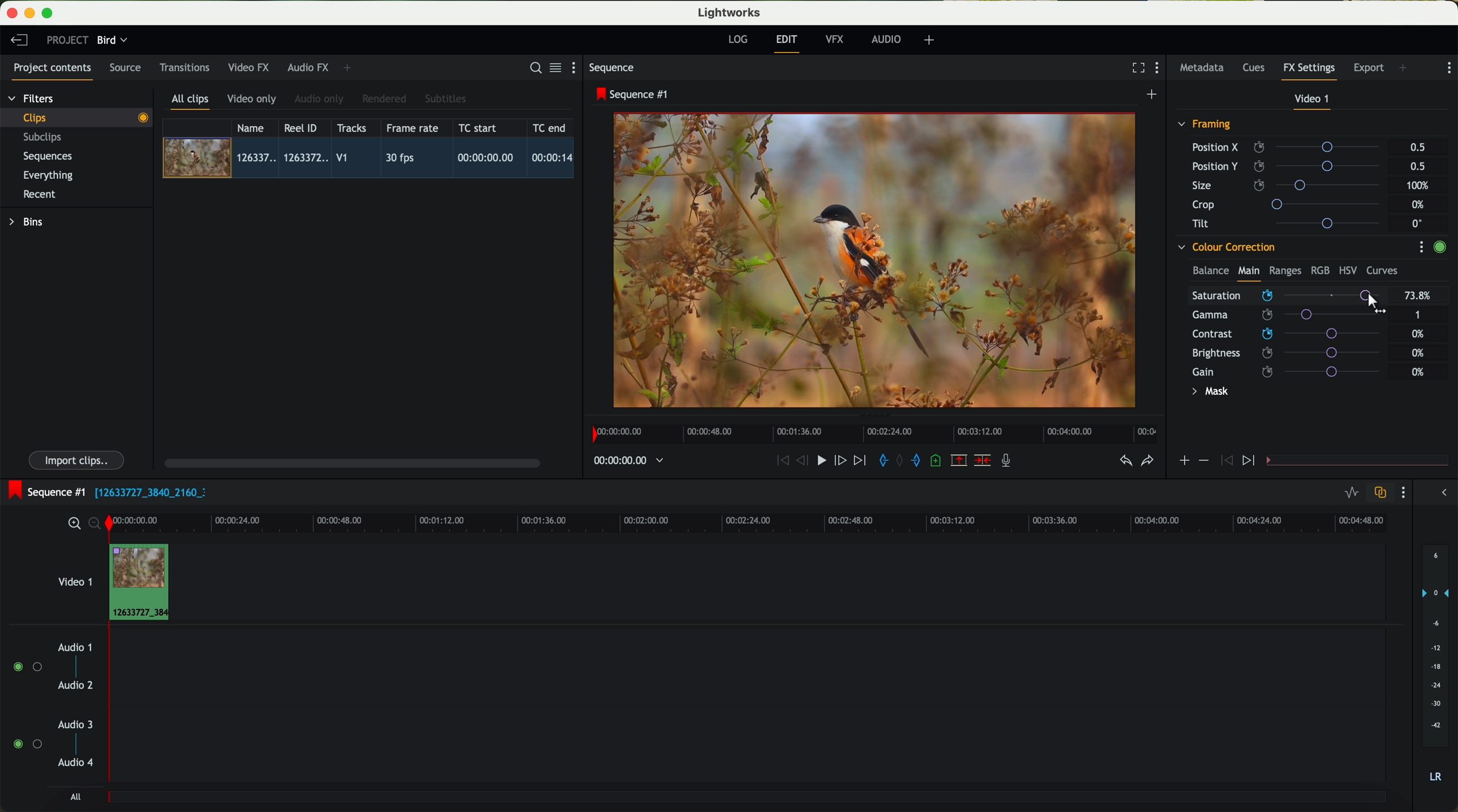  Describe the element at coordinates (804, 462) in the screenshot. I see `nudge one frame back` at that location.